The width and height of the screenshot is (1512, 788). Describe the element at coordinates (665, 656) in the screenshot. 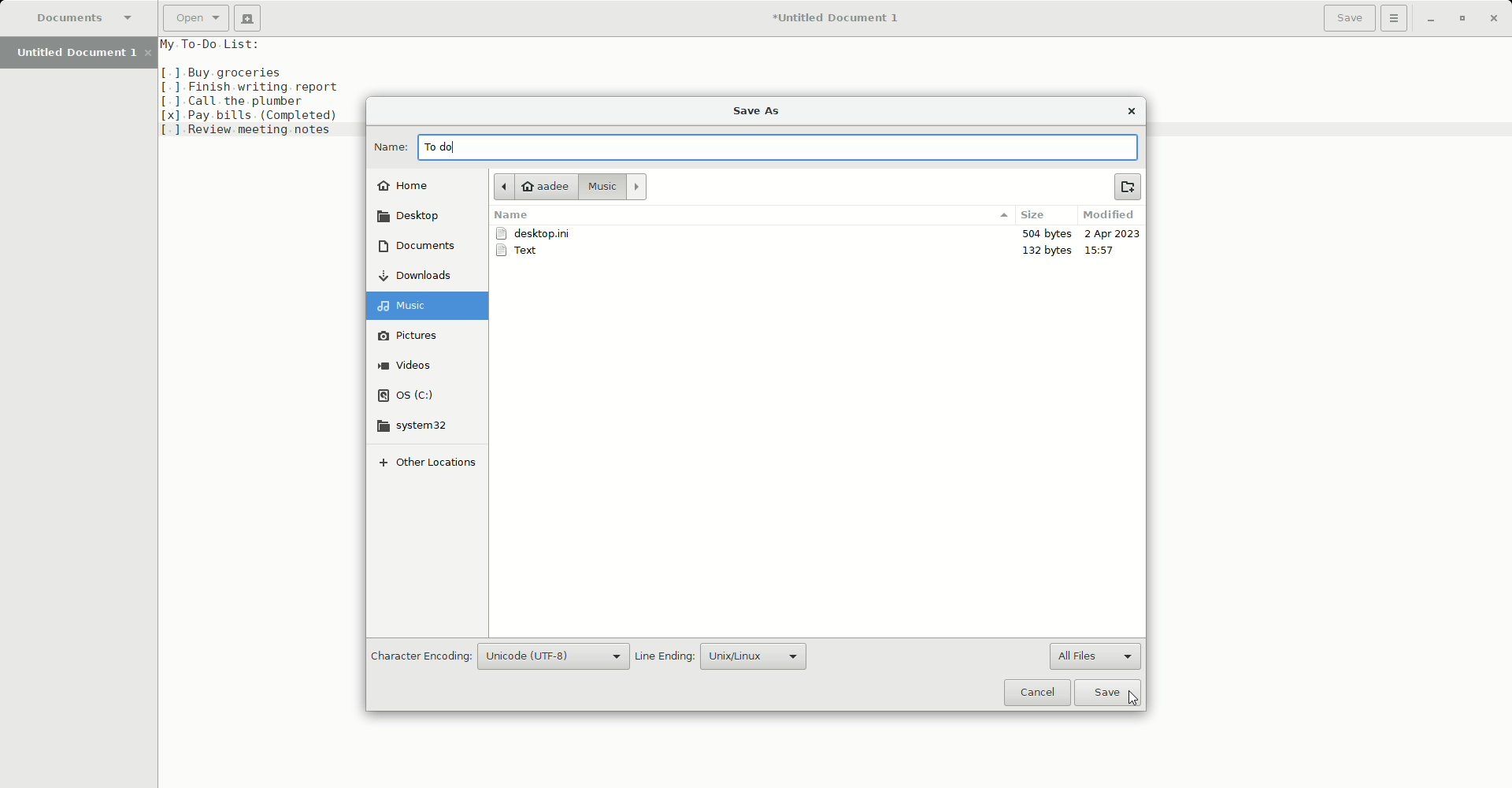

I see `Line endiing` at that location.